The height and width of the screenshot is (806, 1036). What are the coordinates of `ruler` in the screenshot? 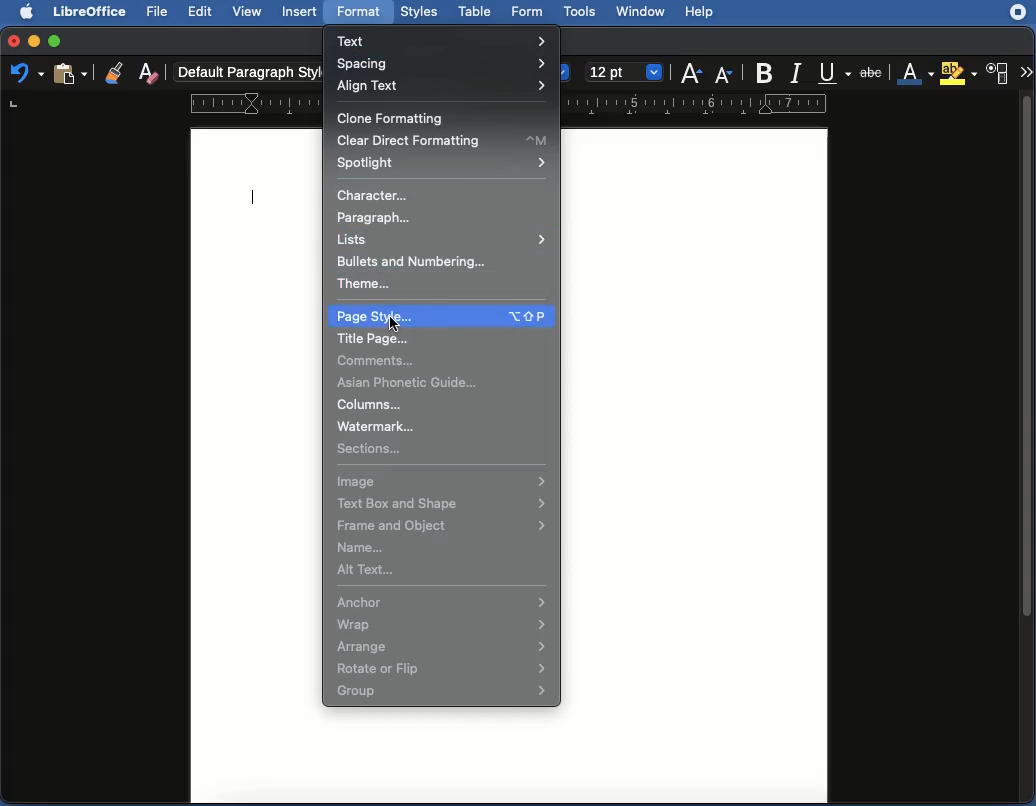 It's located at (255, 102).